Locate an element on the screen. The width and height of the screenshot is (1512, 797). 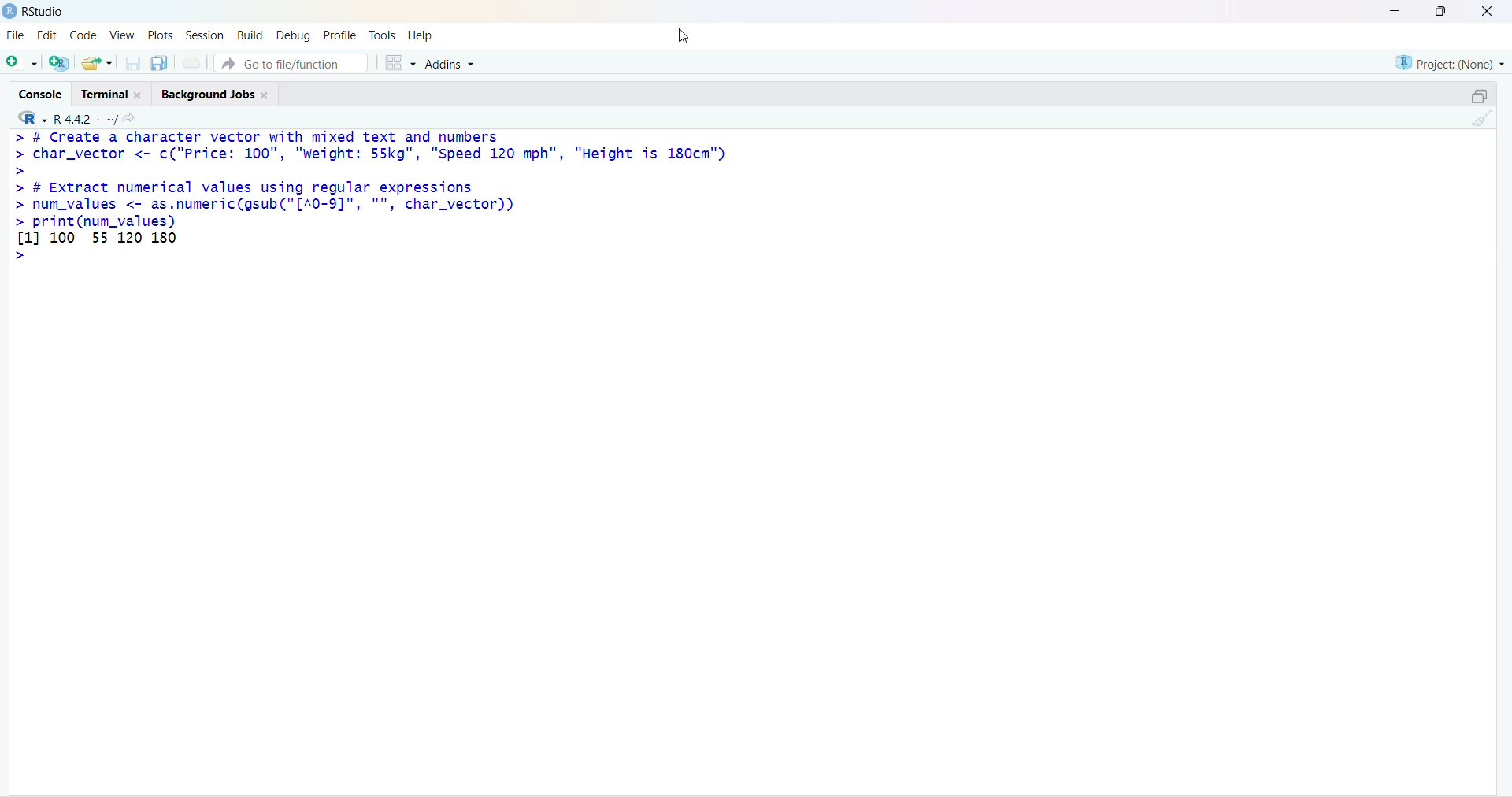
edit is located at coordinates (49, 35).